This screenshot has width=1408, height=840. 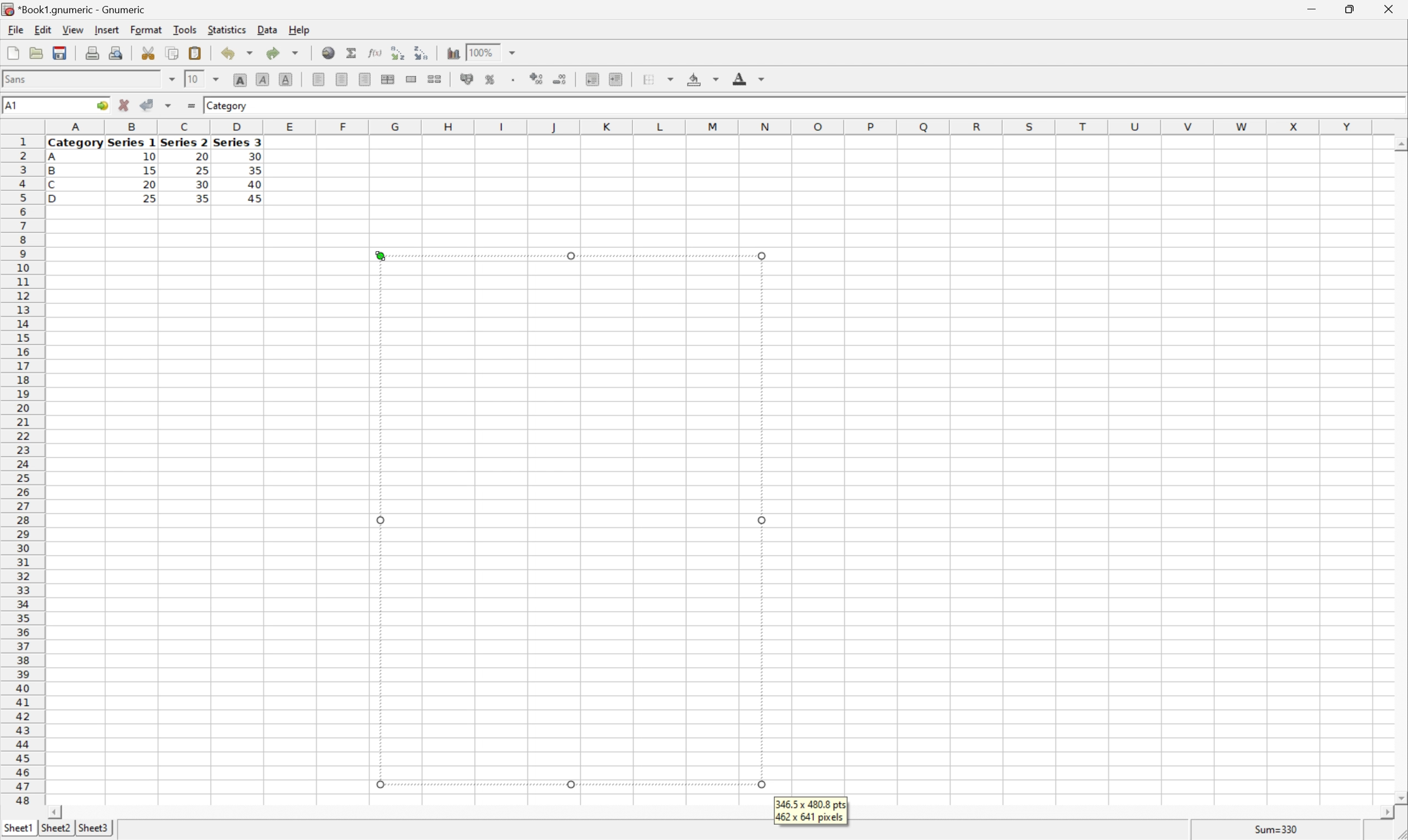 What do you see at coordinates (571, 521) in the screenshot?
I see `selected area` at bounding box center [571, 521].